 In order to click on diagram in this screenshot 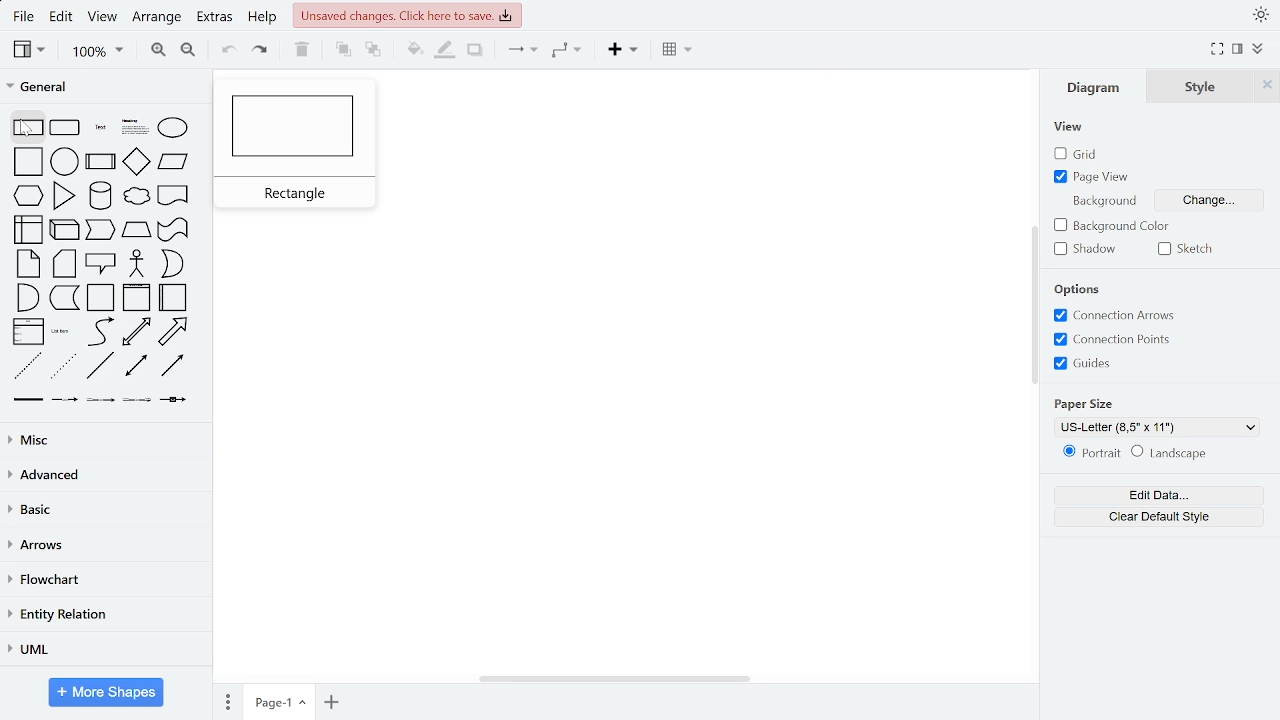, I will do `click(1094, 88)`.